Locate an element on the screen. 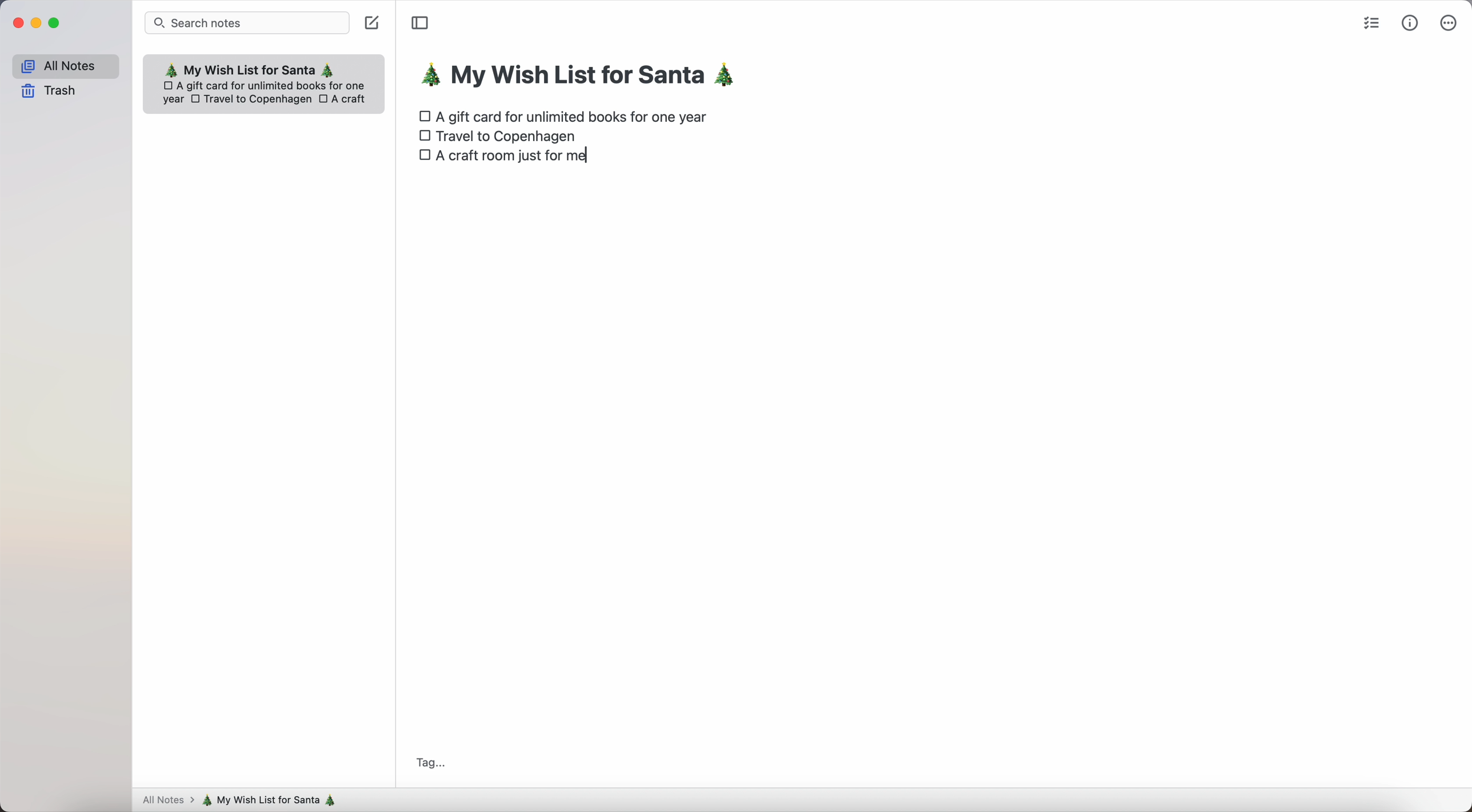 The width and height of the screenshot is (1472, 812). all notes is located at coordinates (65, 64).